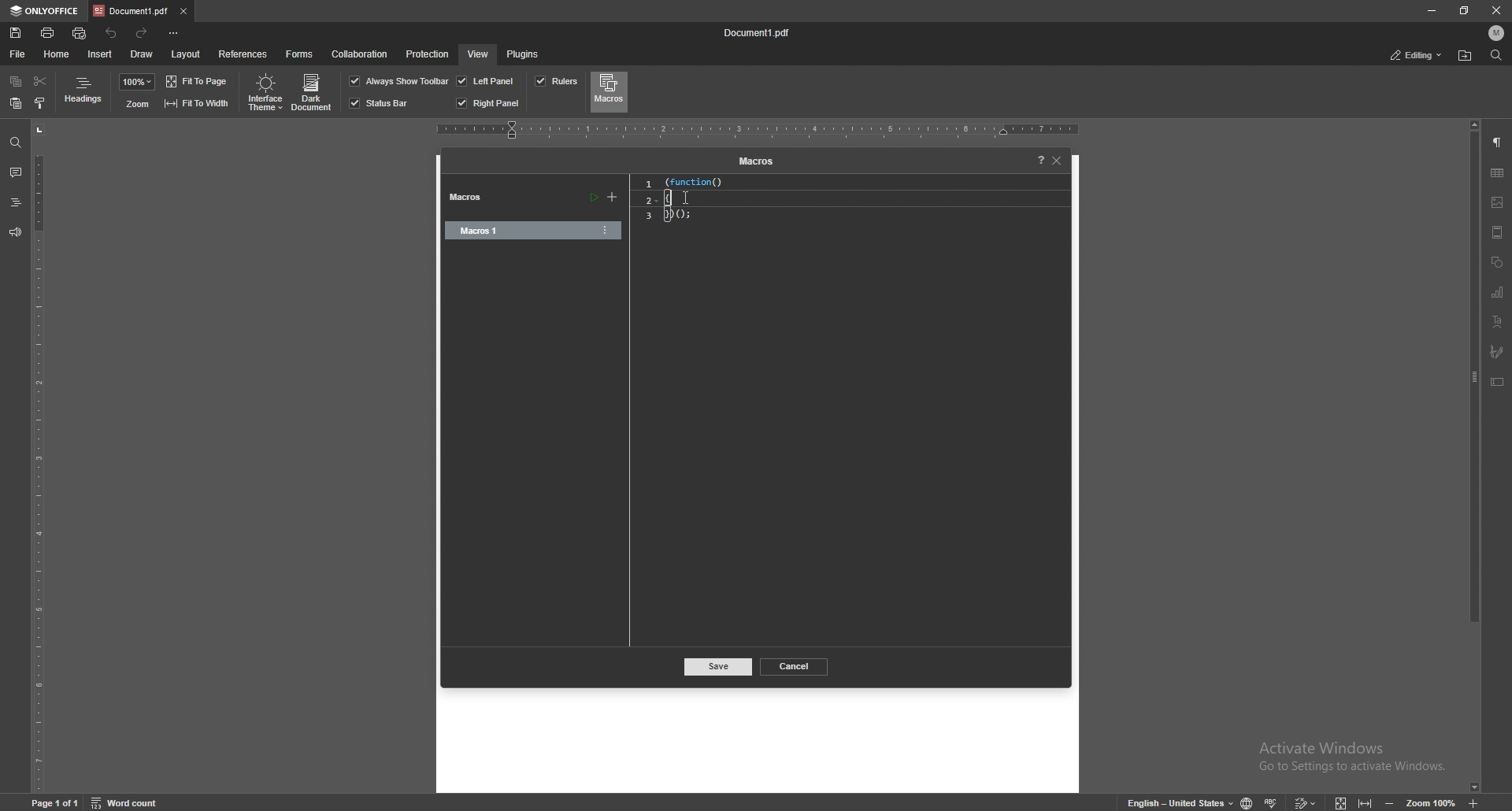 The width and height of the screenshot is (1512, 811). What do you see at coordinates (57, 802) in the screenshot?
I see `page` at bounding box center [57, 802].